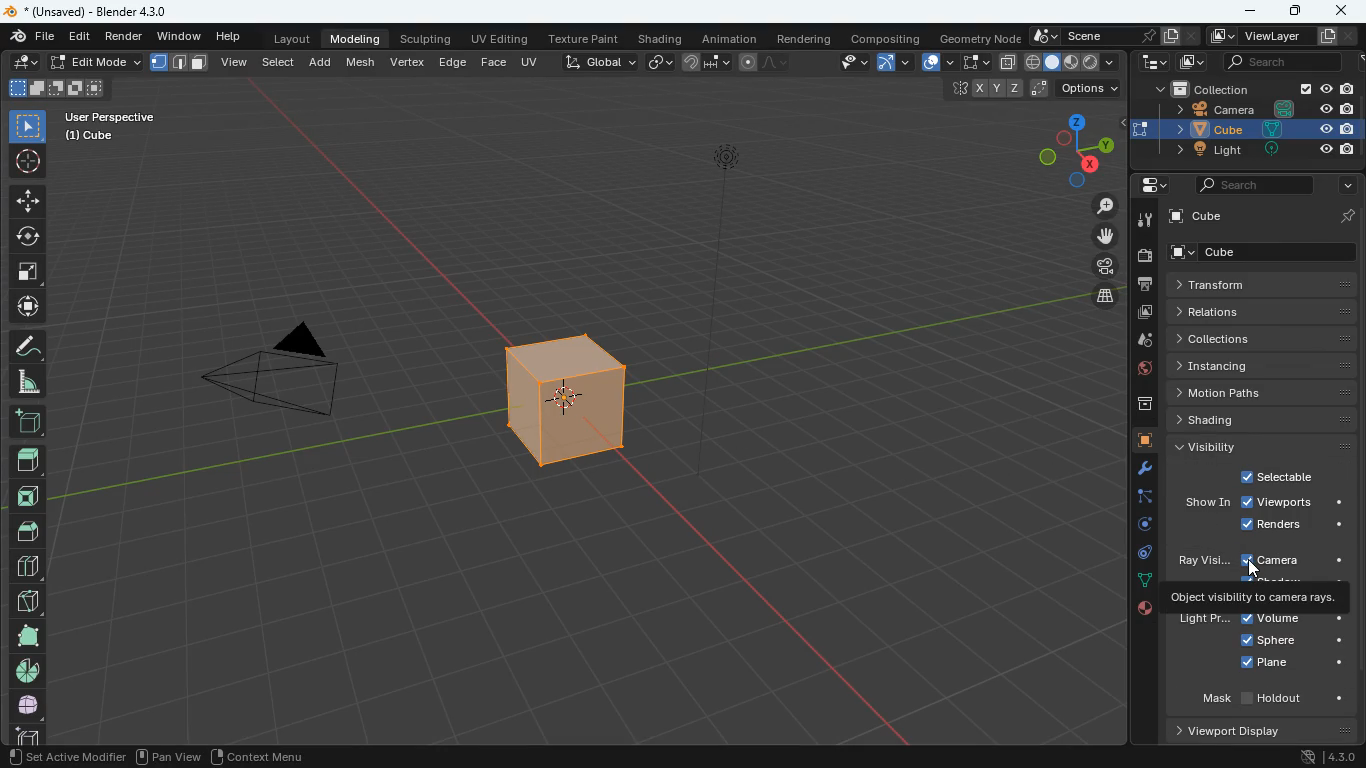 The image size is (1366, 768). Describe the element at coordinates (29, 128) in the screenshot. I see `select` at that location.